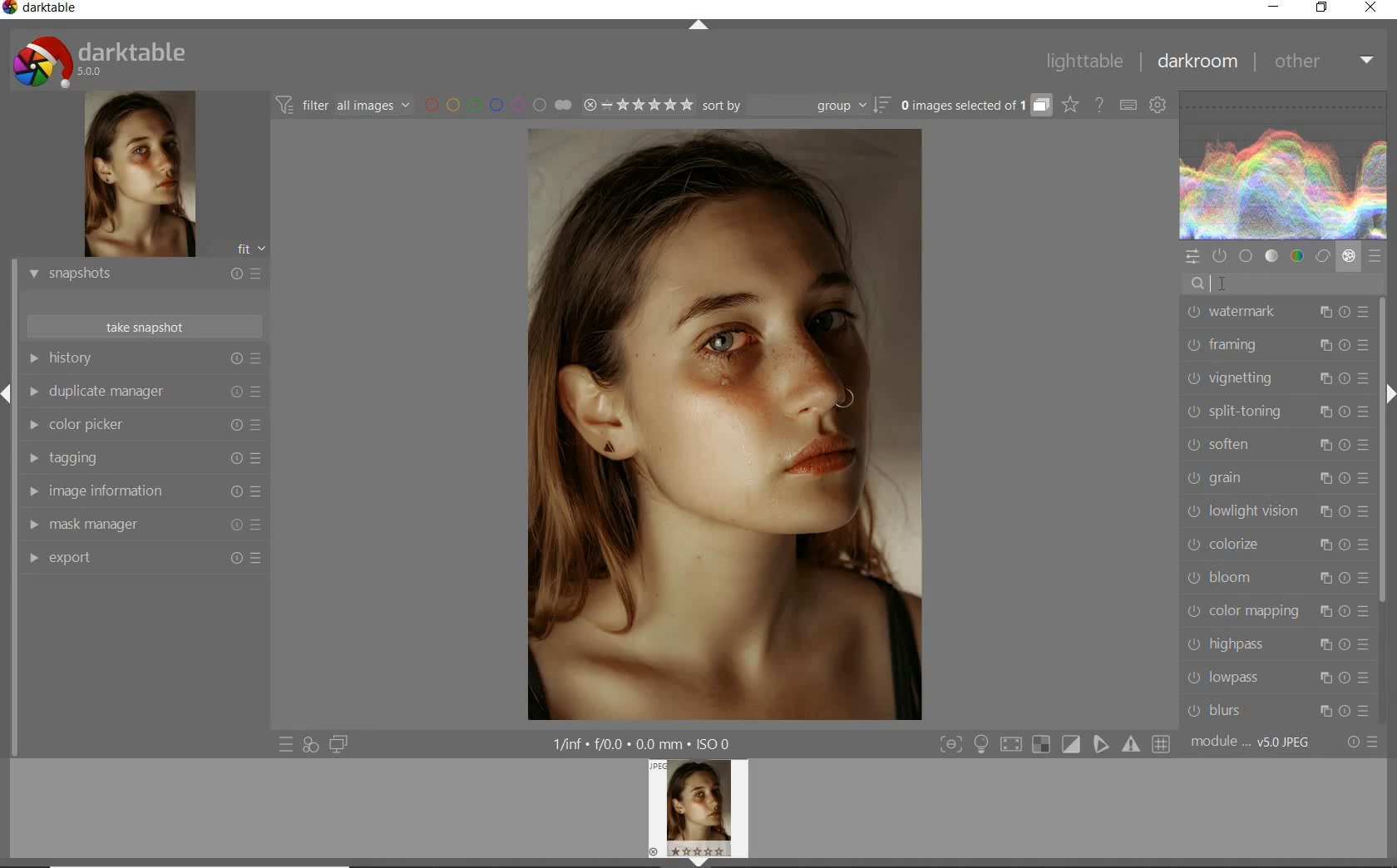 Image resolution: width=1397 pixels, height=868 pixels. Describe the element at coordinates (143, 456) in the screenshot. I see `tagging` at that location.